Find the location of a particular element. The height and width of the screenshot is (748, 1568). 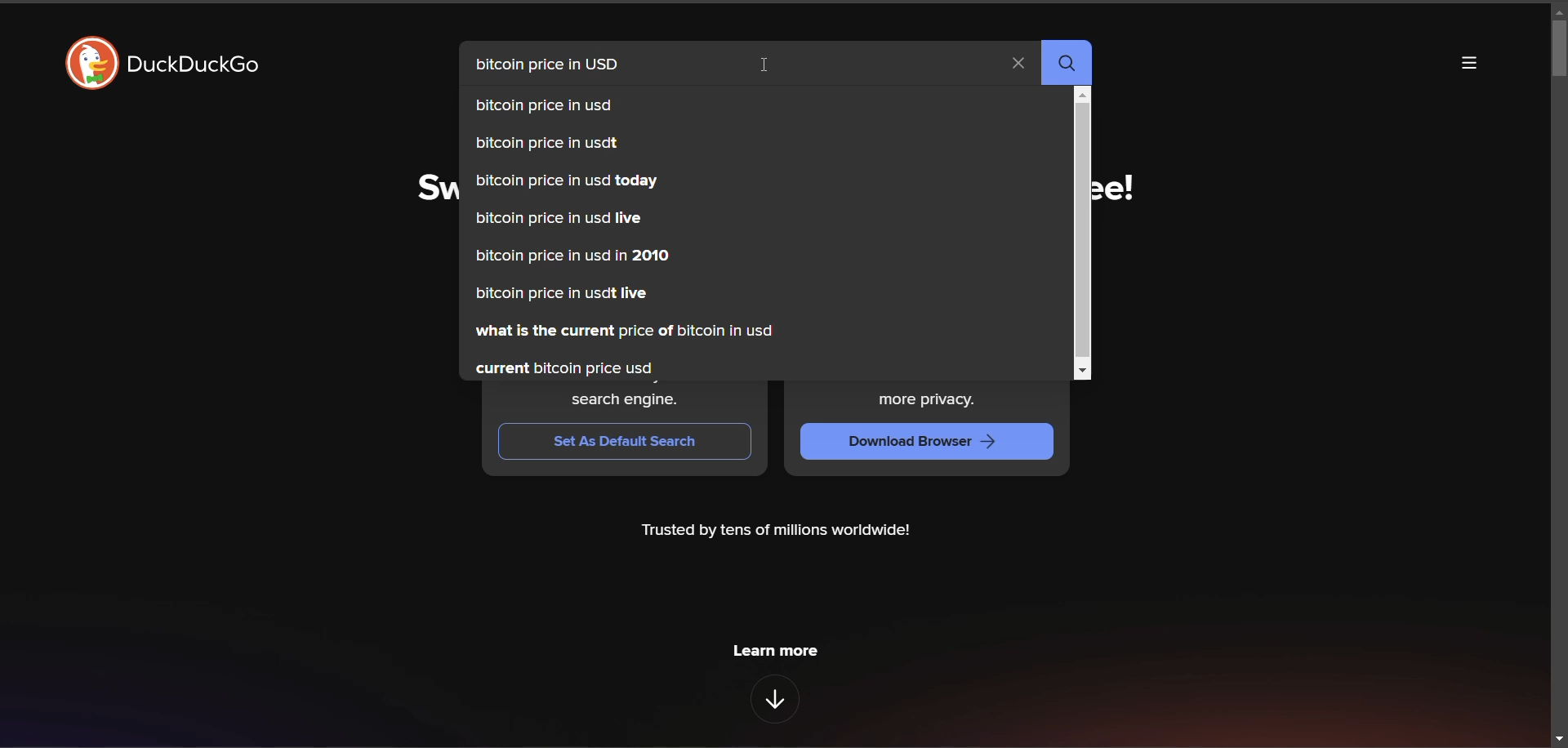

cursor is located at coordinates (769, 65).